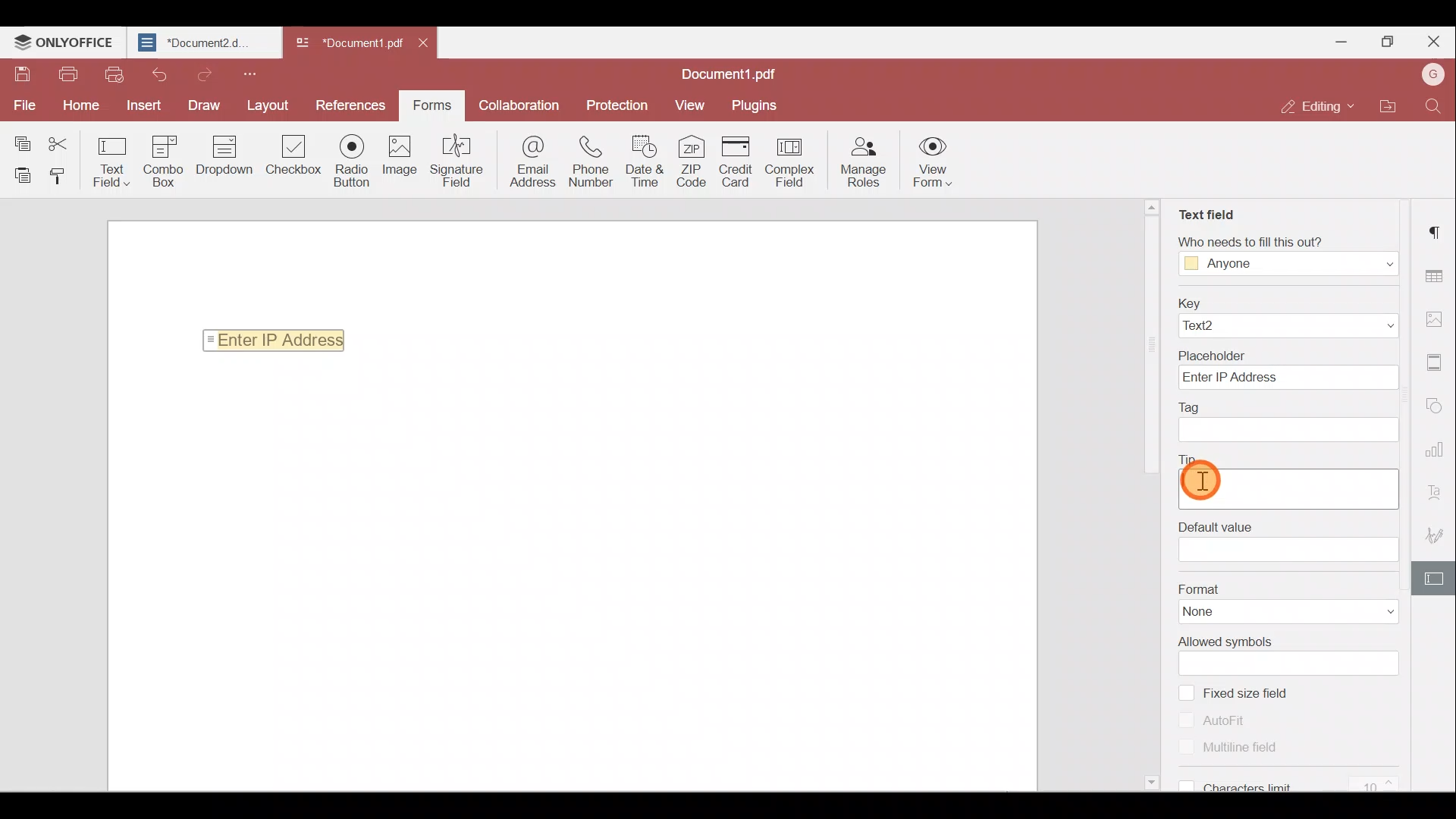 The height and width of the screenshot is (819, 1456). Describe the element at coordinates (158, 74) in the screenshot. I see `Undo` at that location.